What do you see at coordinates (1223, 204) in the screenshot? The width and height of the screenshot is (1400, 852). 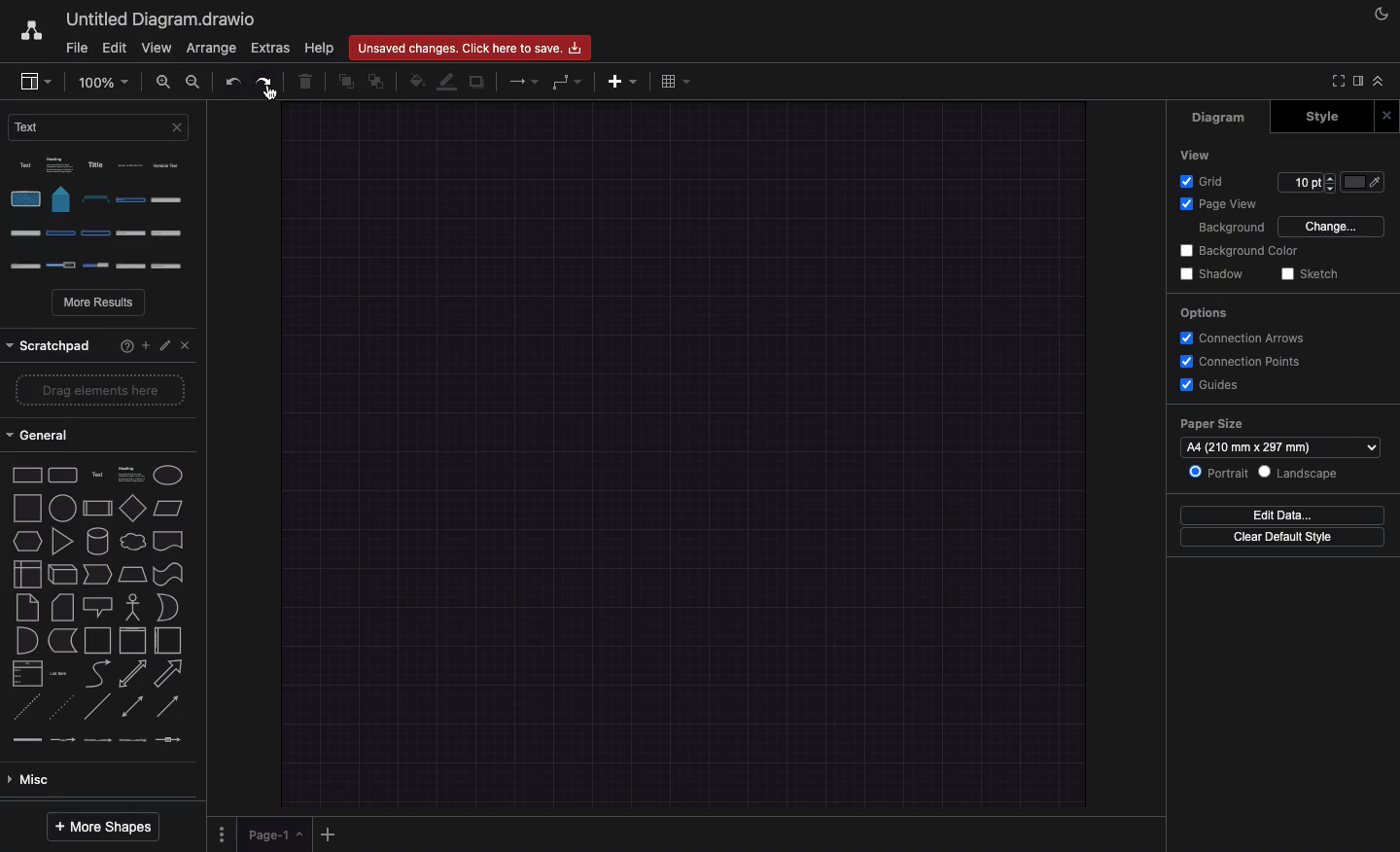 I see `Page view` at bounding box center [1223, 204].